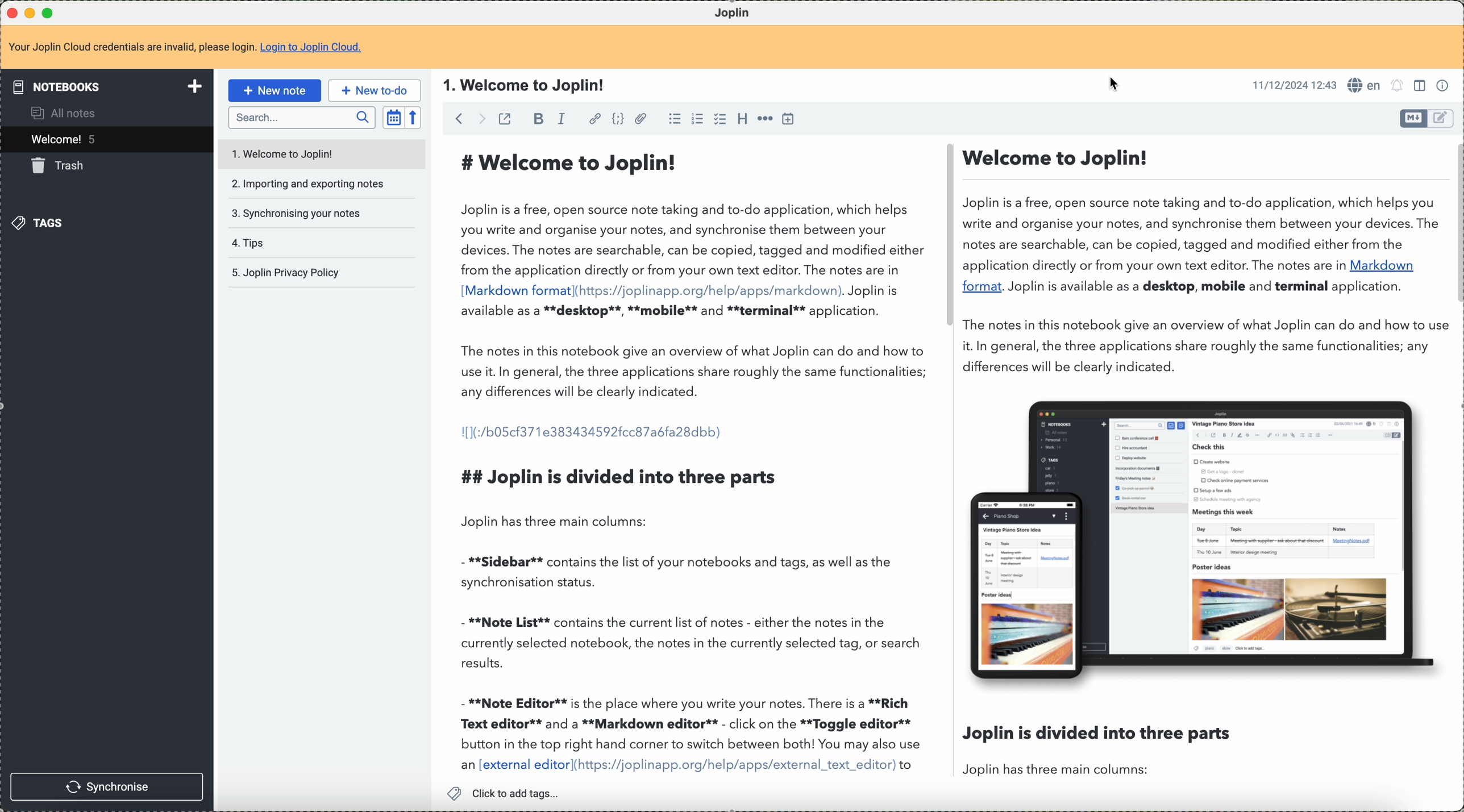 Image resolution: width=1464 pixels, height=812 pixels. Describe the element at coordinates (393, 118) in the screenshot. I see `toggle sort order field` at that location.